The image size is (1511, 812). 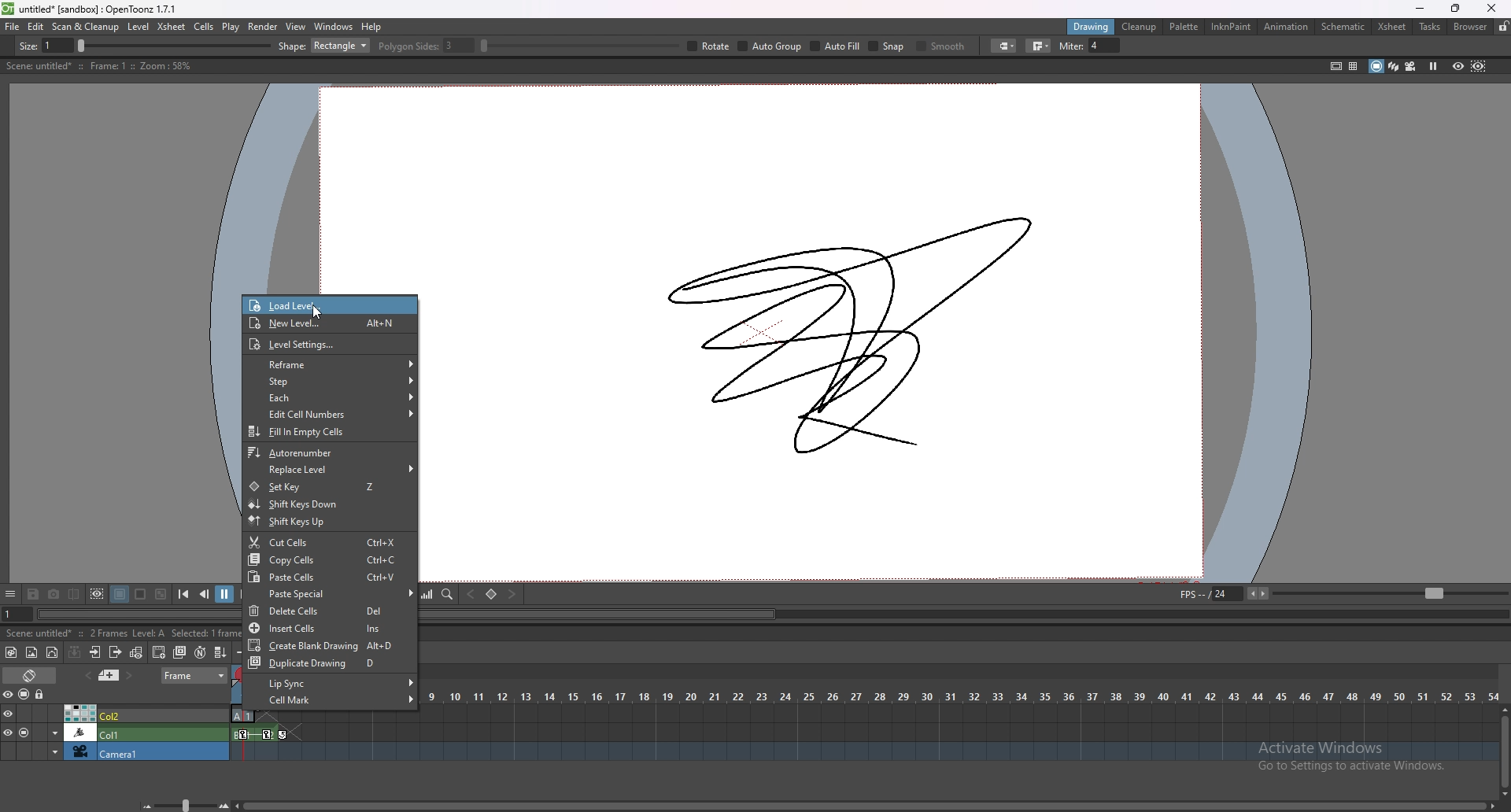 I want to click on play, so click(x=231, y=27).